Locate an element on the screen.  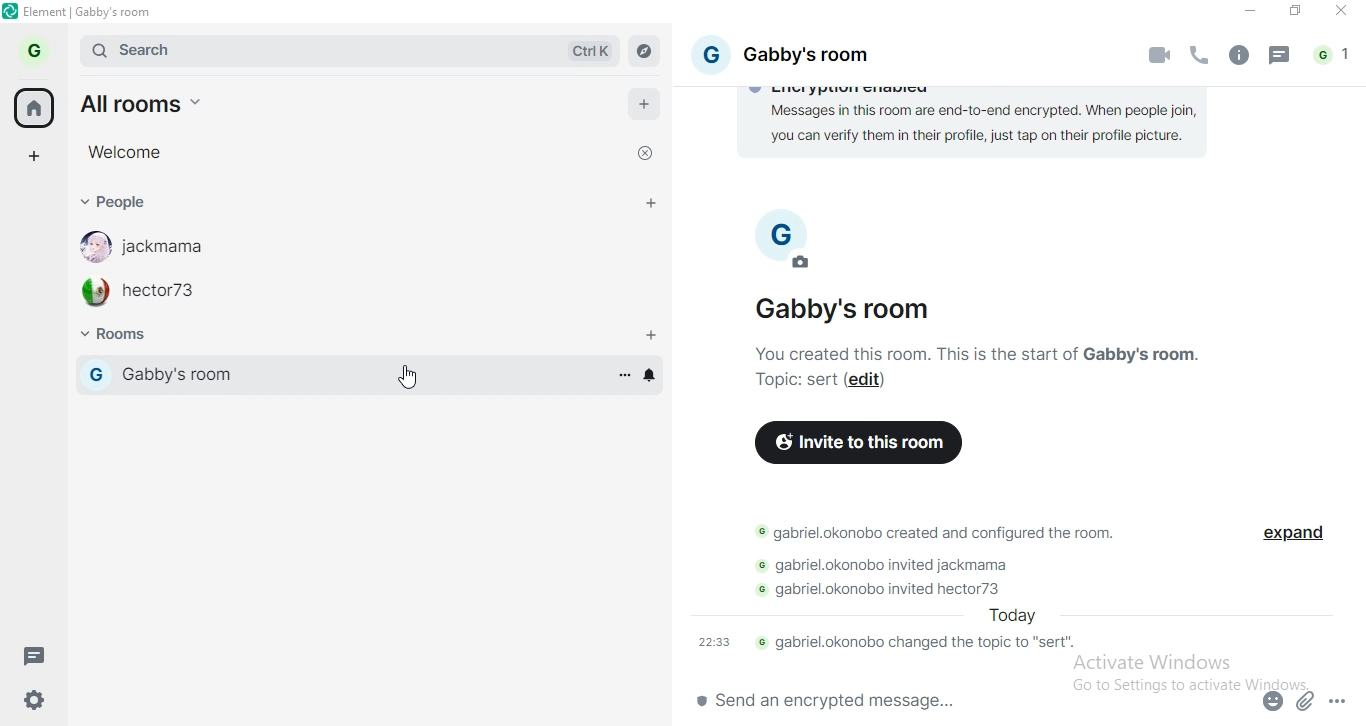
add is located at coordinates (646, 108).